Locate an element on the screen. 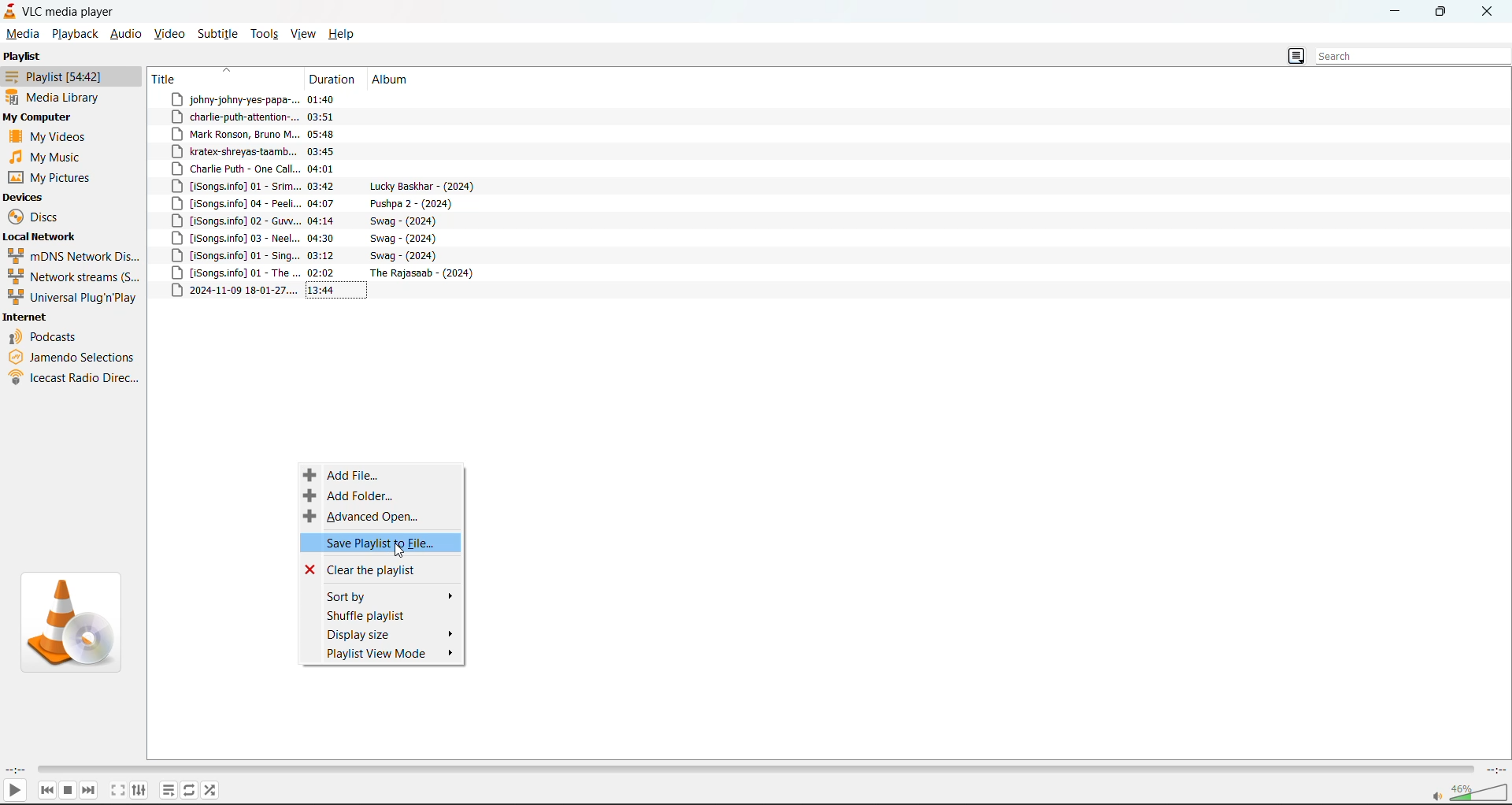 The image size is (1512, 805). random is located at coordinates (213, 790).